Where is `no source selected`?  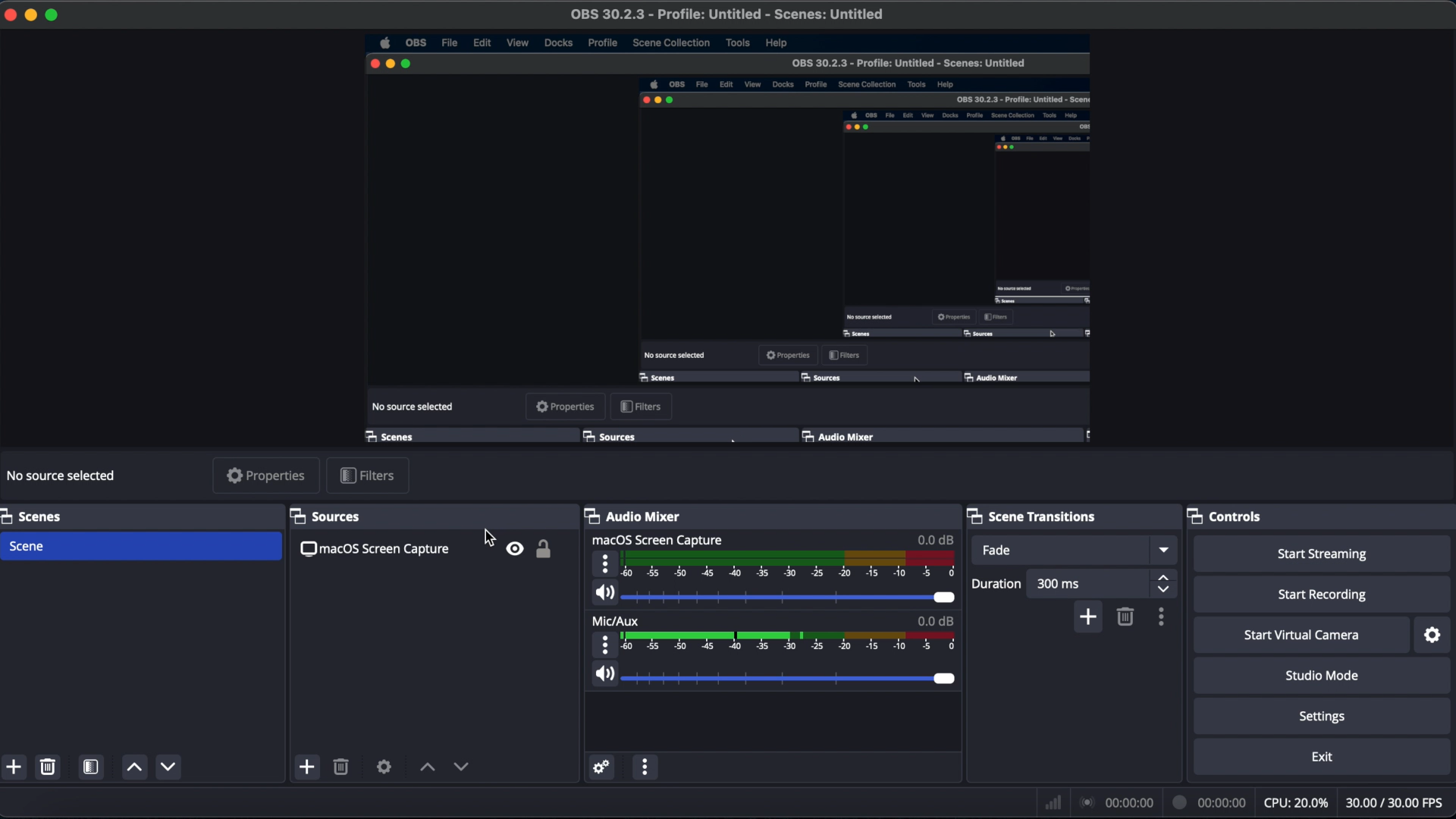 no source selected is located at coordinates (61, 474).